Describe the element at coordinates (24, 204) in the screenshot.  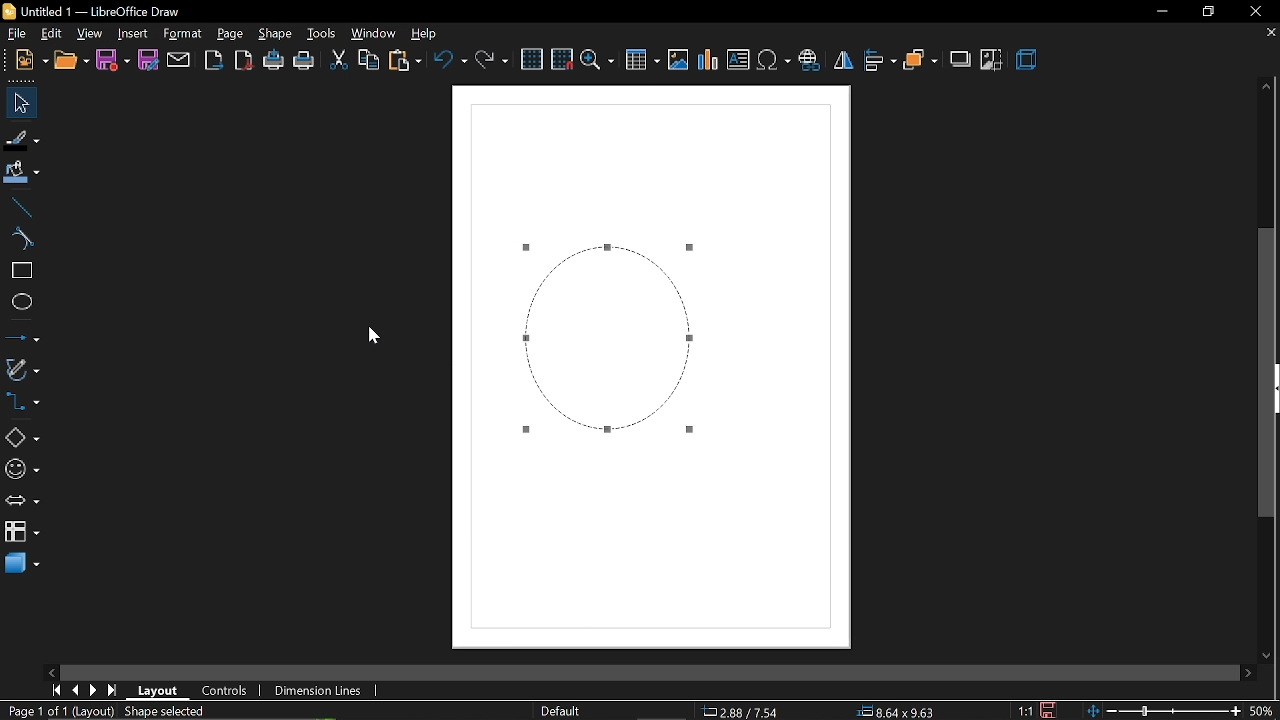
I see `line` at that location.